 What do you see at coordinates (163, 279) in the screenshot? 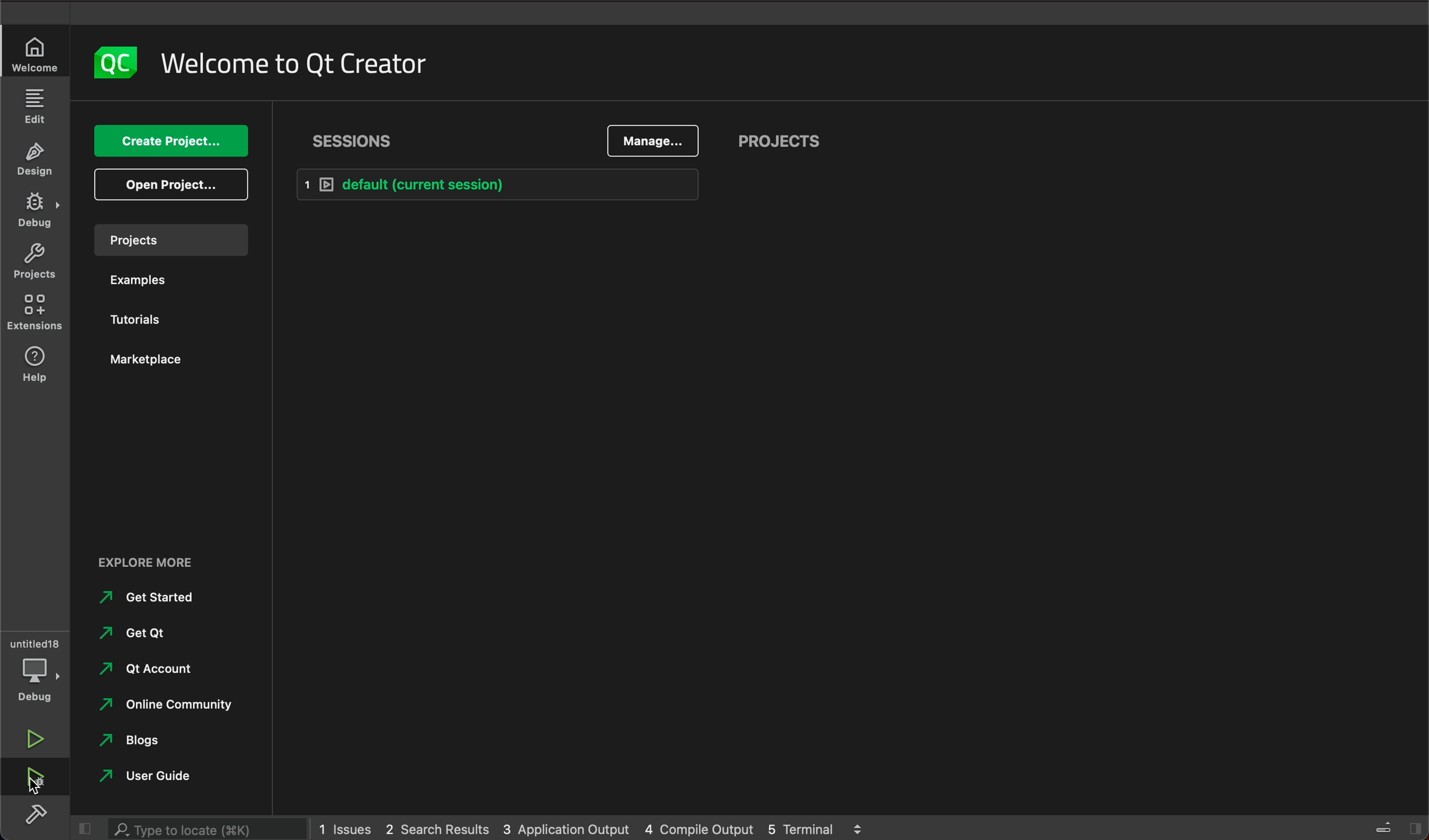
I see `examples` at bounding box center [163, 279].